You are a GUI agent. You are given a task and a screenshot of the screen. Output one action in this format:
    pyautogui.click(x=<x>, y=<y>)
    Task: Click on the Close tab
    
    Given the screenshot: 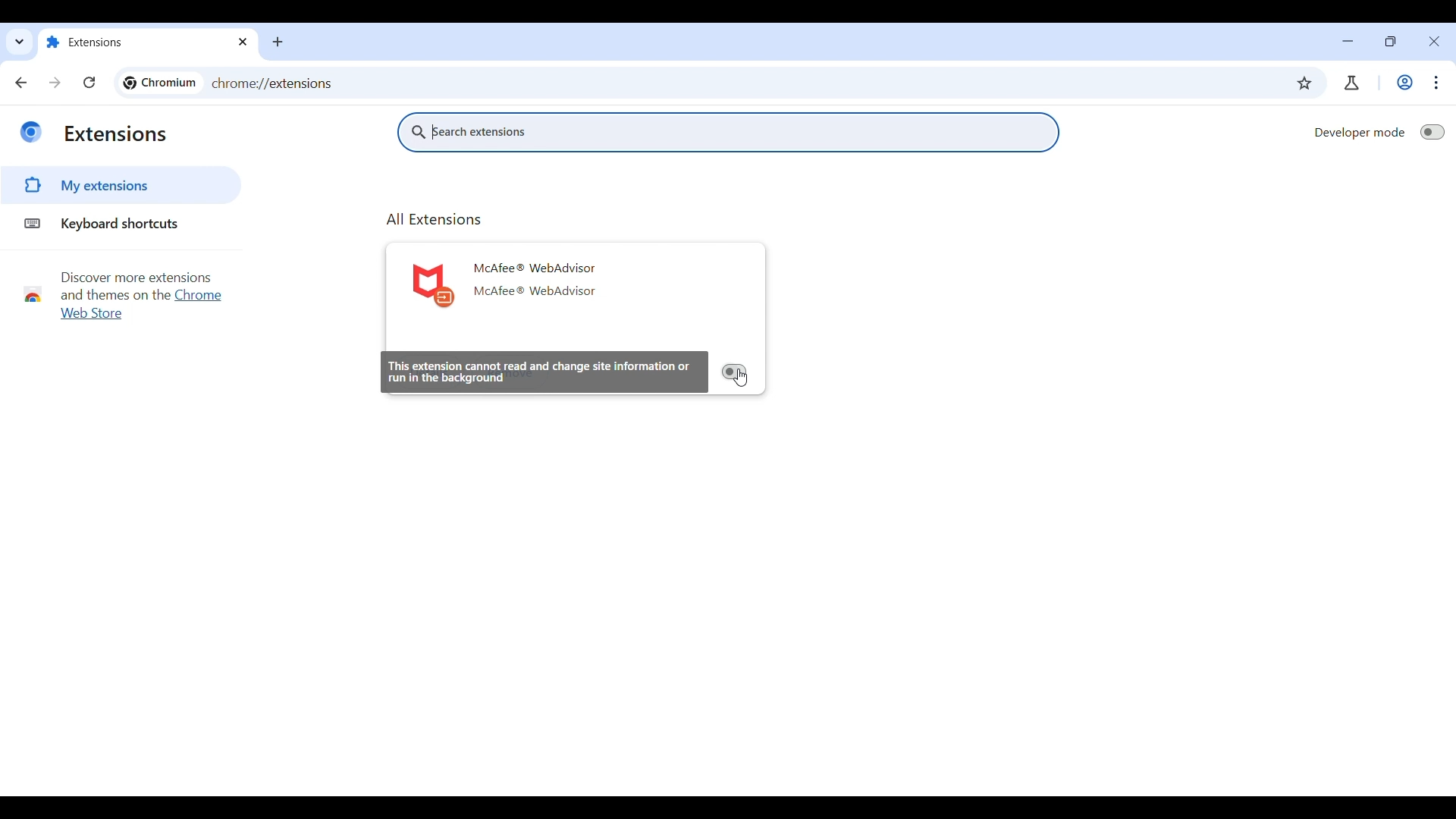 What is the action you would take?
    pyautogui.click(x=244, y=42)
    